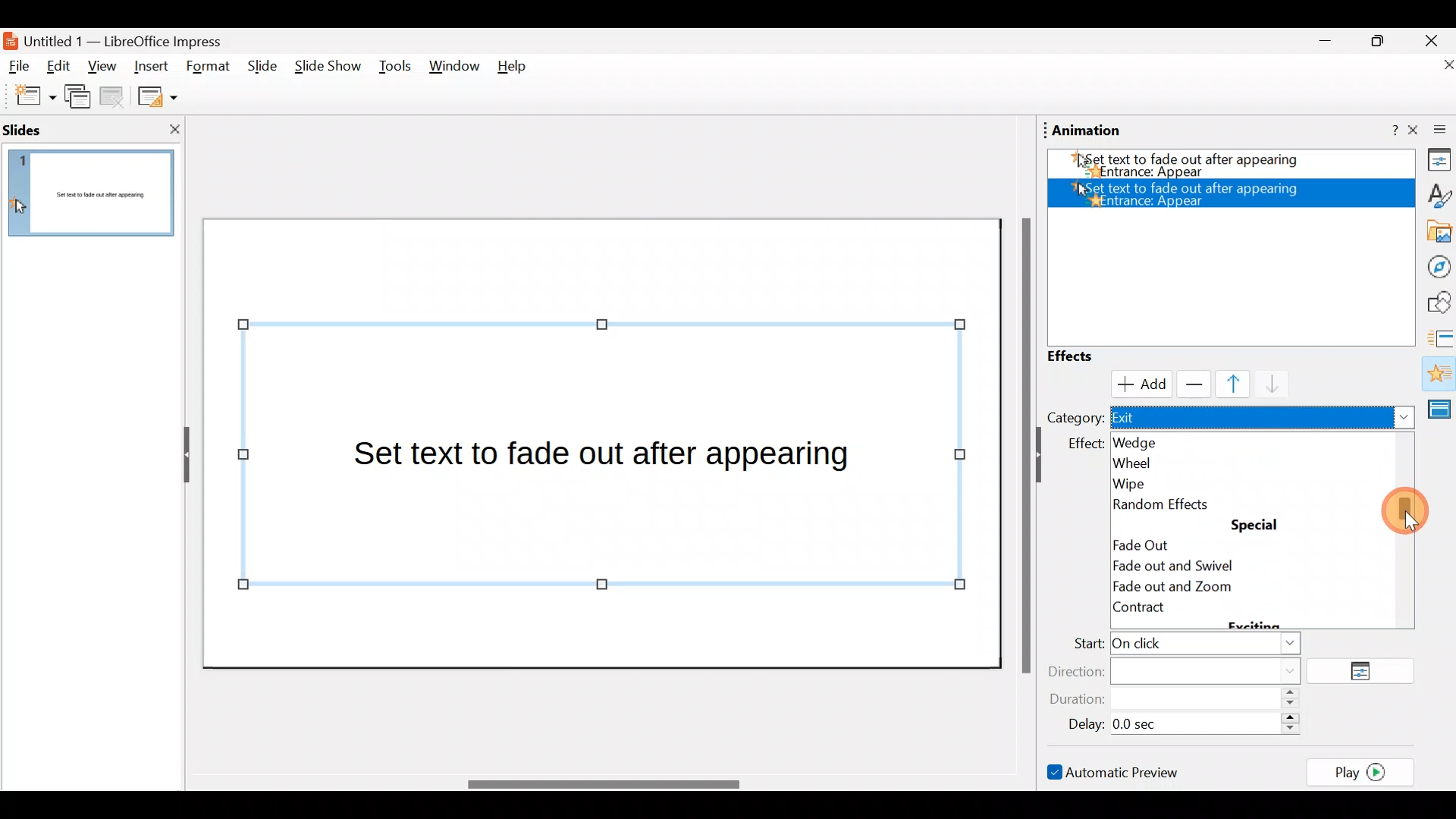  I want to click on Exit, so click(1263, 419).